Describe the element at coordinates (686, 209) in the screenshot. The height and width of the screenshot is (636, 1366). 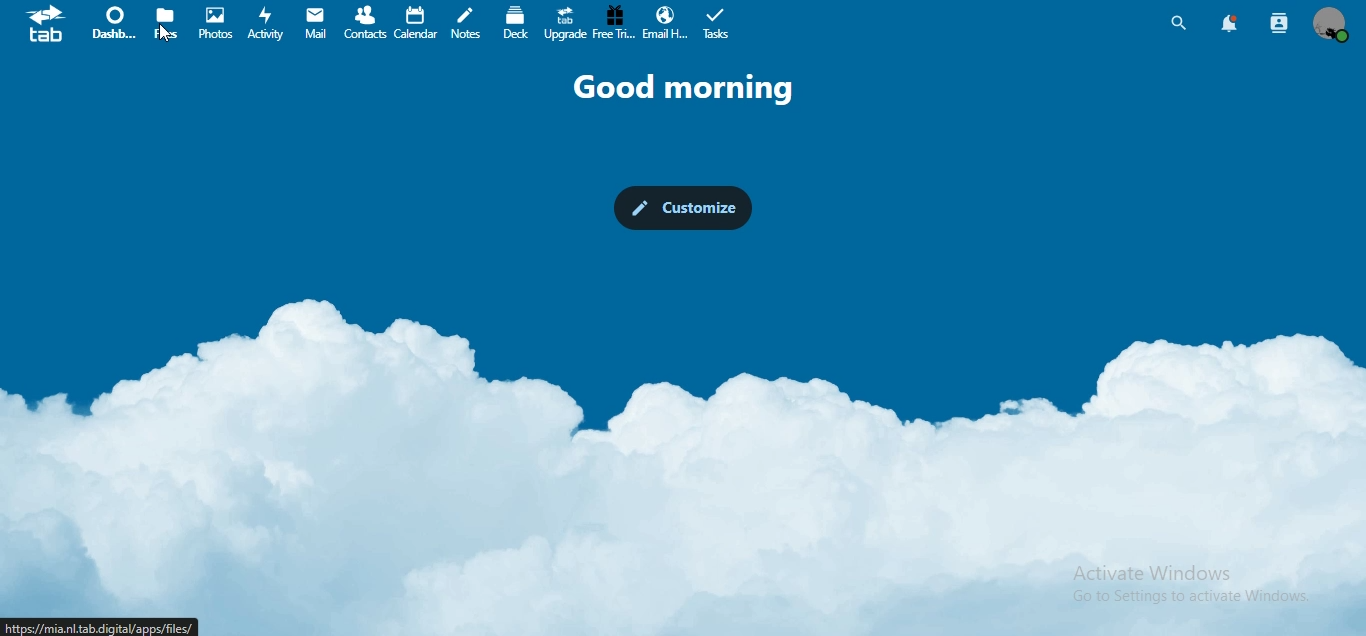
I see `customize` at that location.